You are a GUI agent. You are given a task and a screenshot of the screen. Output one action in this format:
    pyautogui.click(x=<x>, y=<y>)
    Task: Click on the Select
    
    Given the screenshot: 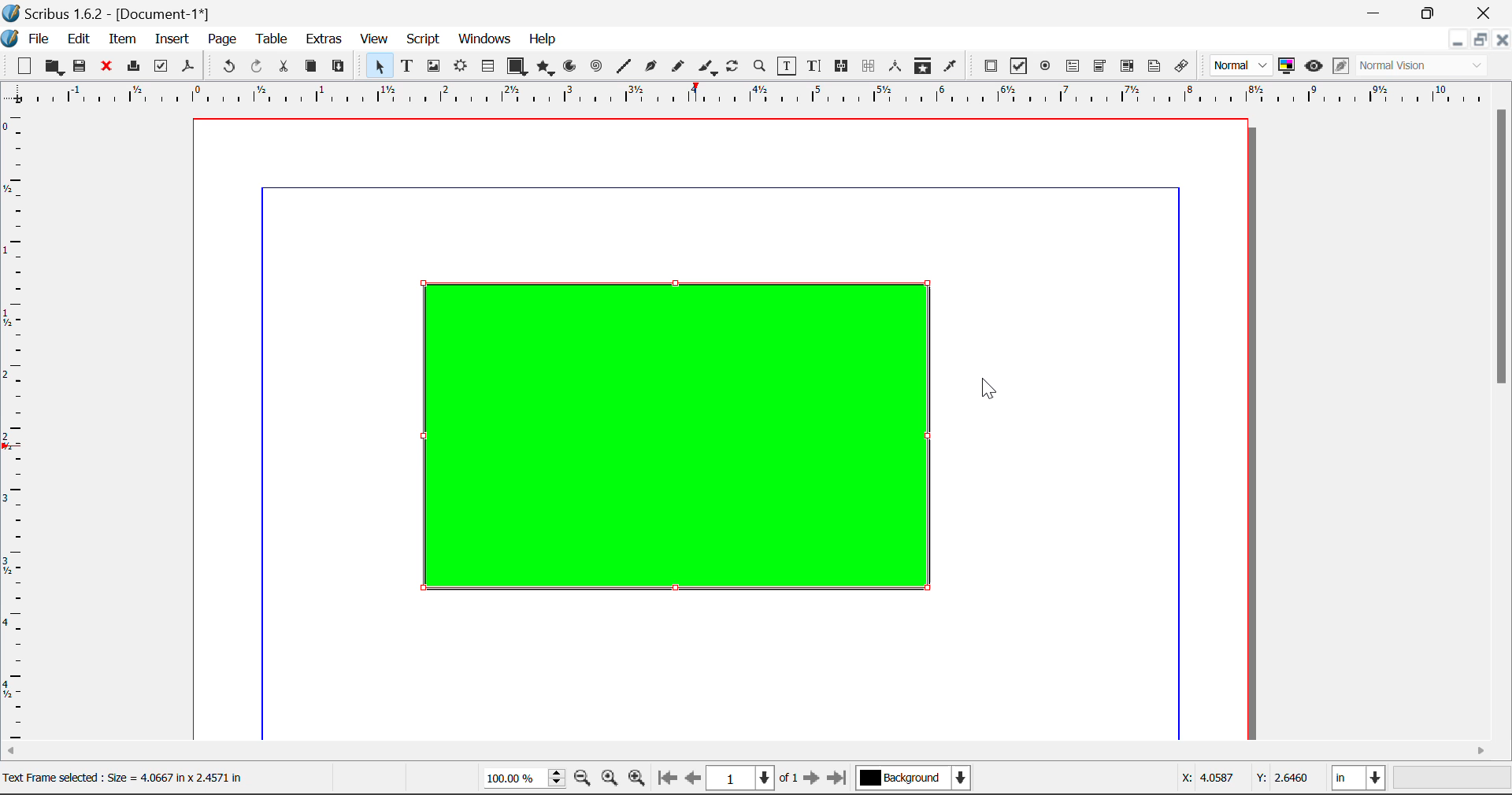 What is the action you would take?
    pyautogui.click(x=376, y=65)
    